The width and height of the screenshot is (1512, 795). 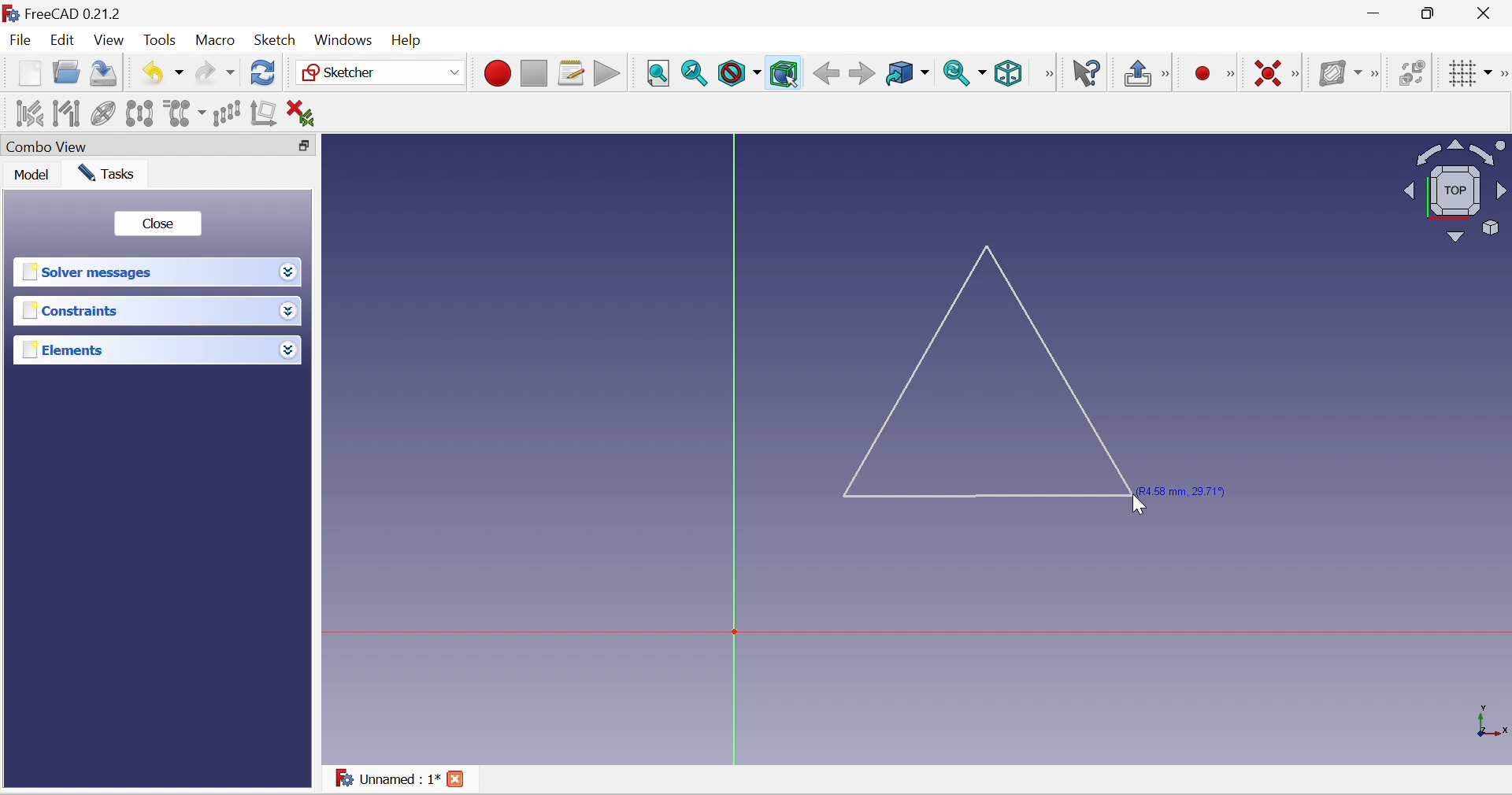 I want to click on Tasks, so click(x=106, y=174).